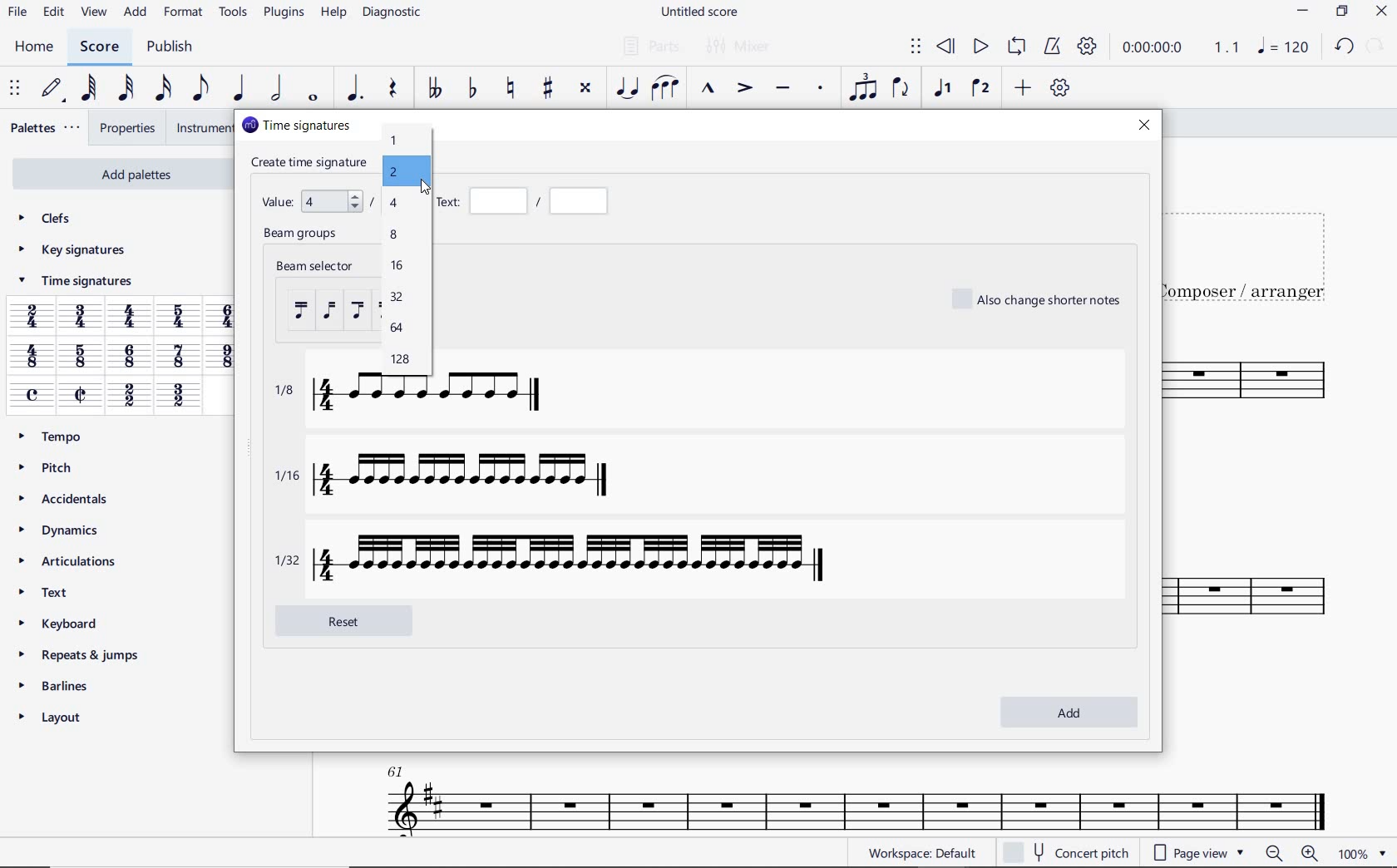 The height and width of the screenshot is (868, 1397). Describe the element at coordinates (132, 318) in the screenshot. I see `4/4` at that location.